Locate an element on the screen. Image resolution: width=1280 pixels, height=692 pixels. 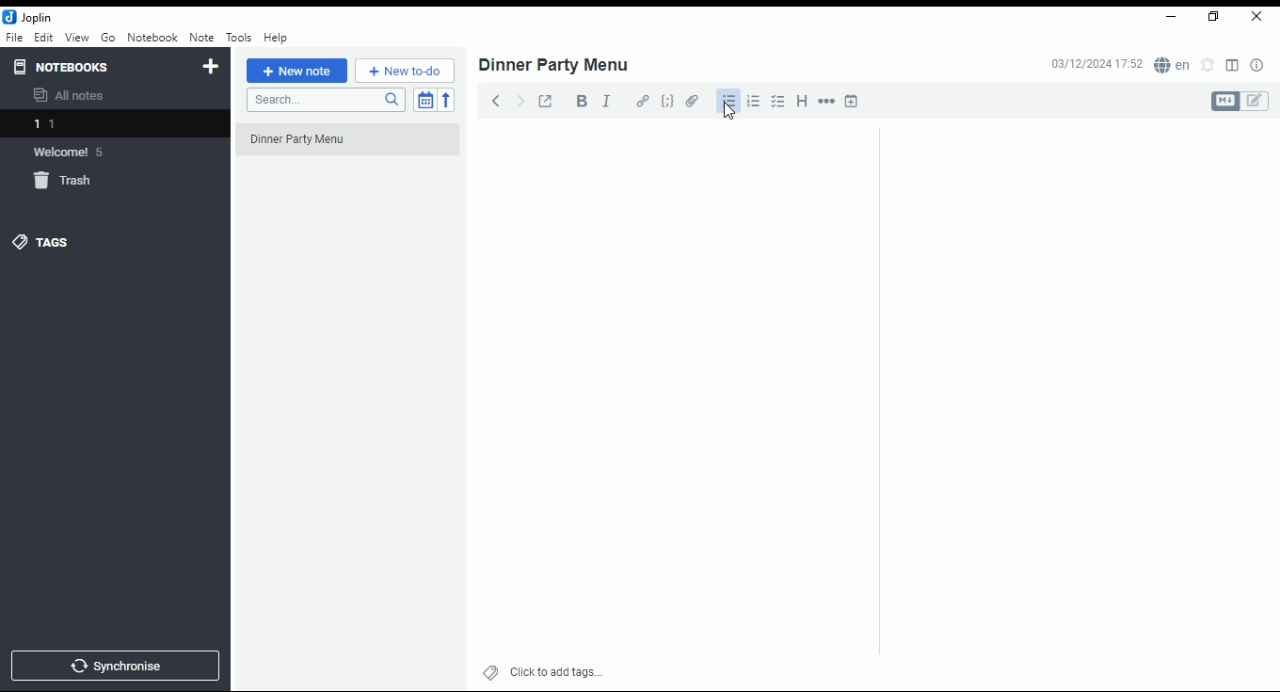
close  is located at coordinates (1256, 17).